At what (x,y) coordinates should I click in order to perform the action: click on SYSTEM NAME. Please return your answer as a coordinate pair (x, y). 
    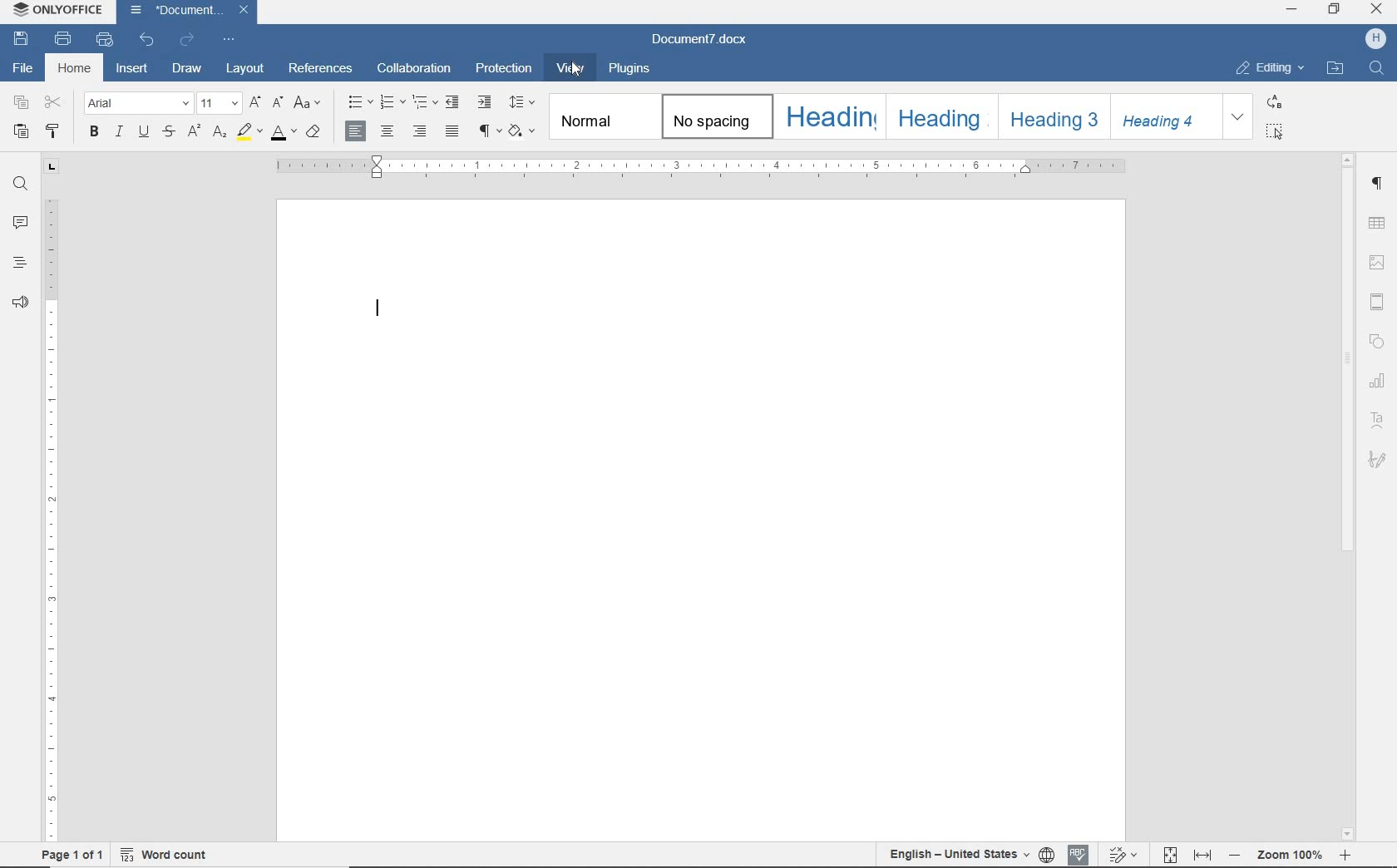
    Looking at the image, I should click on (55, 12).